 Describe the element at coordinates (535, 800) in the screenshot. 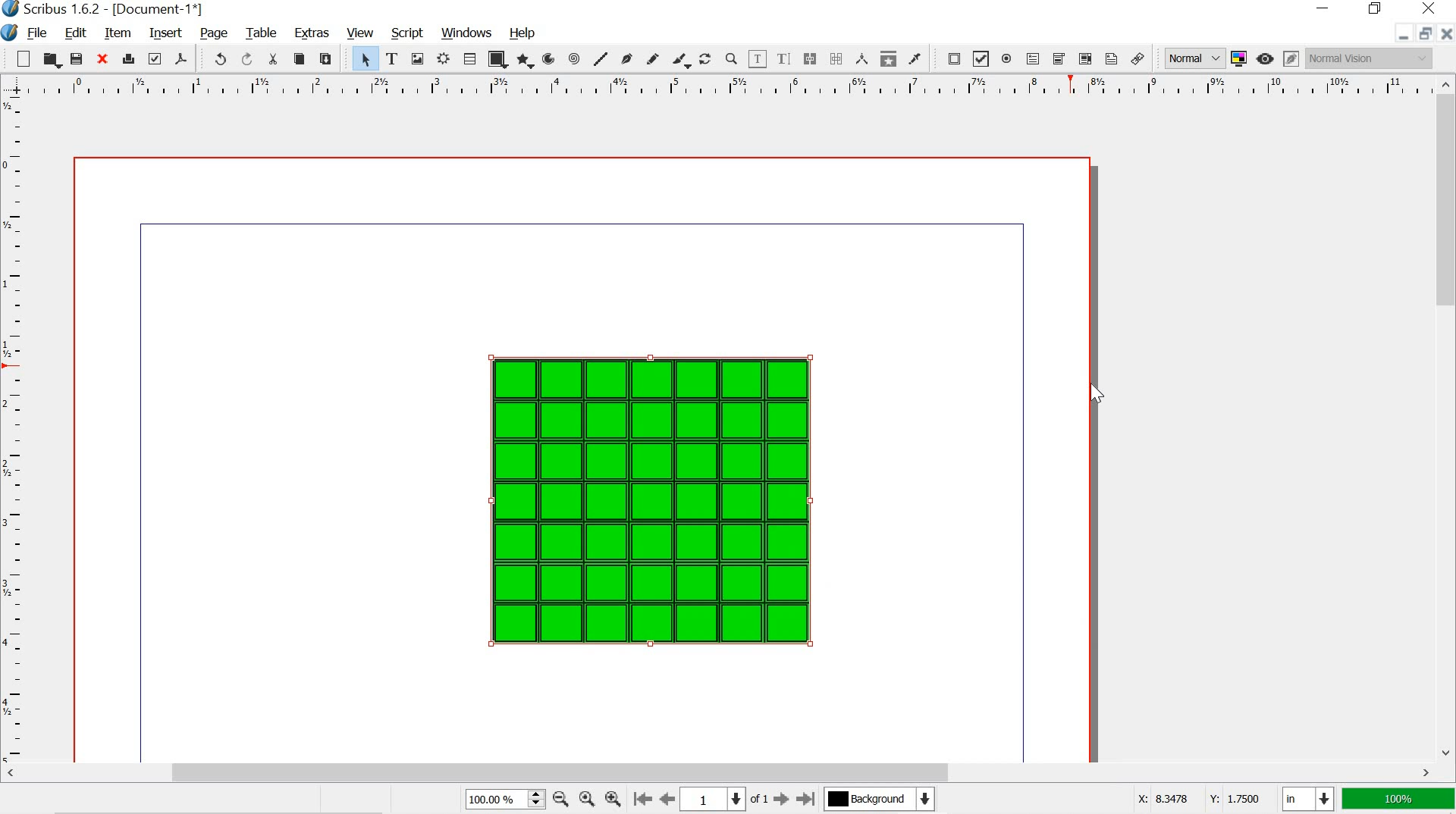

I see `zoom in, zoom out` at that location.